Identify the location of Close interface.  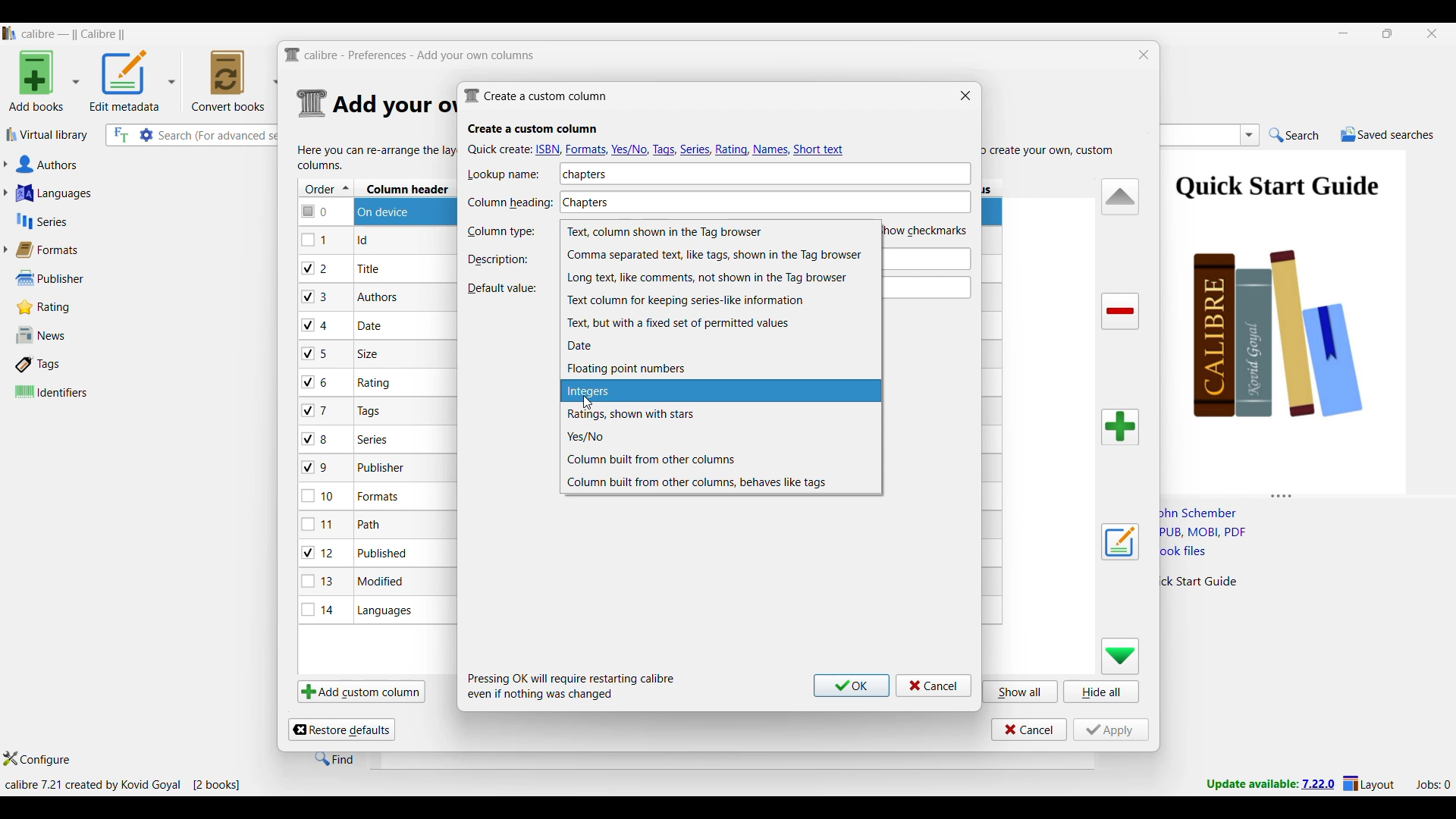
(1432, 33).